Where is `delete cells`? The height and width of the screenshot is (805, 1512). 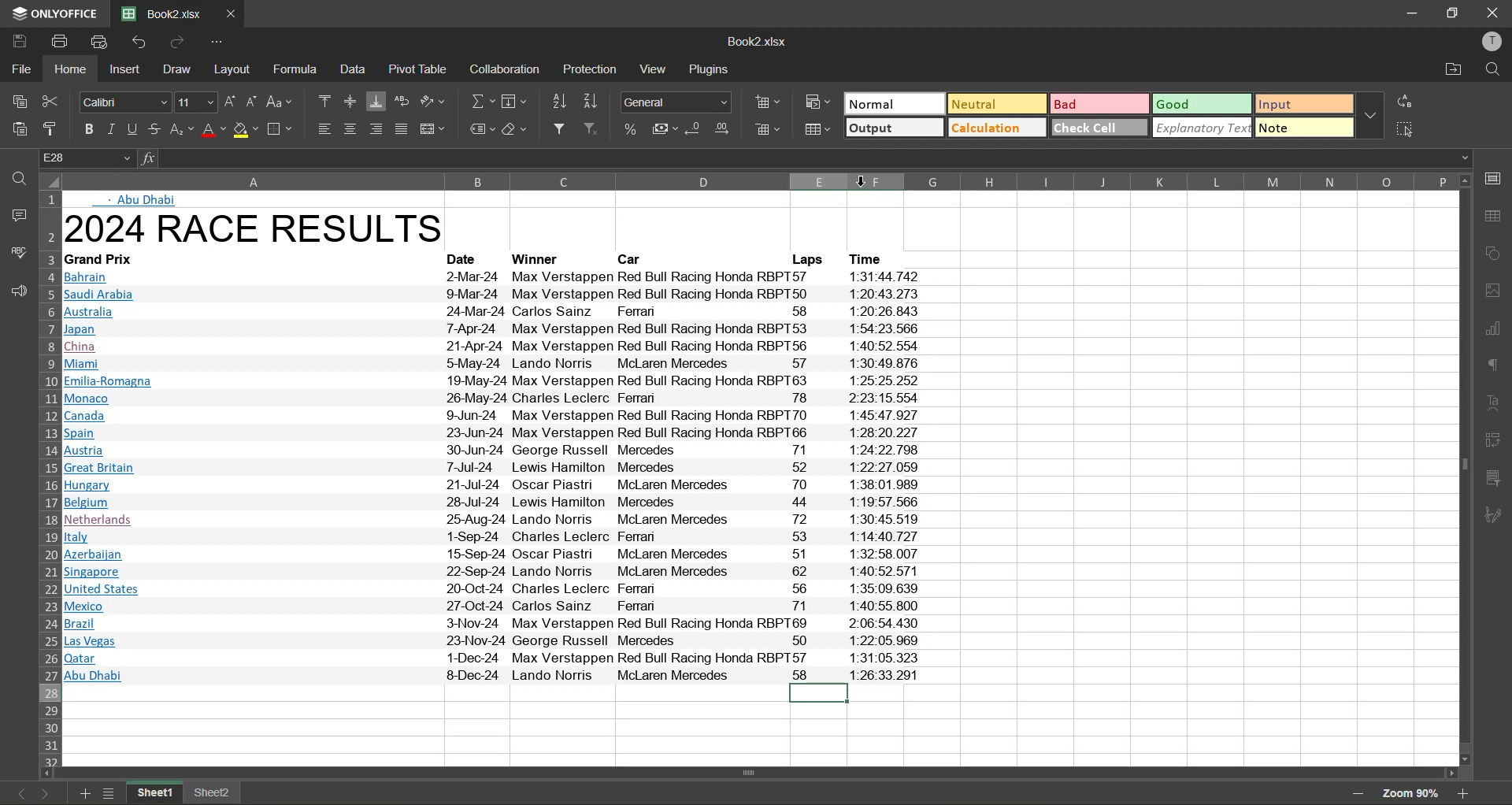
delete cells is located at coordinates (766, 129).